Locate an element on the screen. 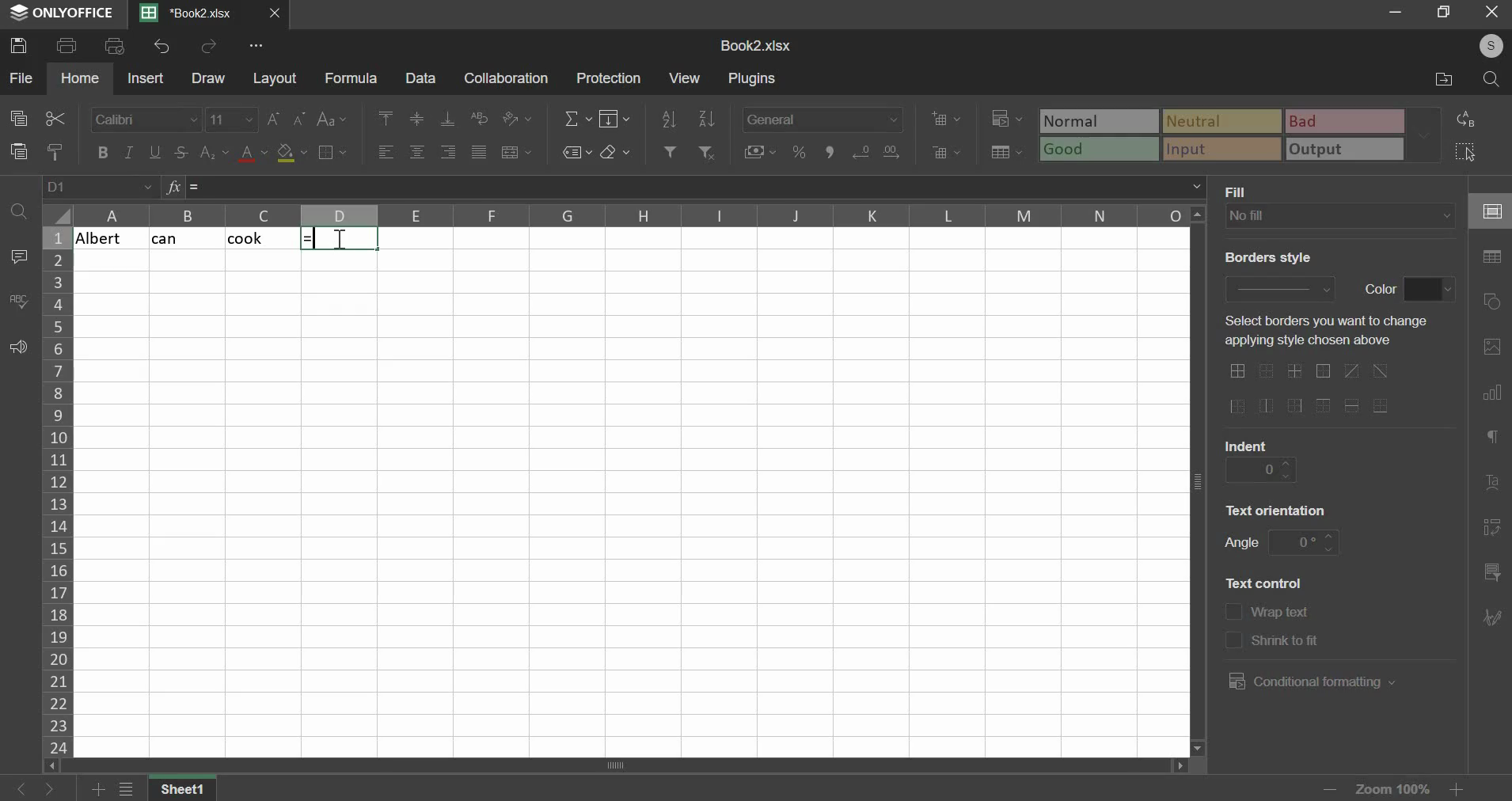  picture or video is located at coordinates (1491, 348).